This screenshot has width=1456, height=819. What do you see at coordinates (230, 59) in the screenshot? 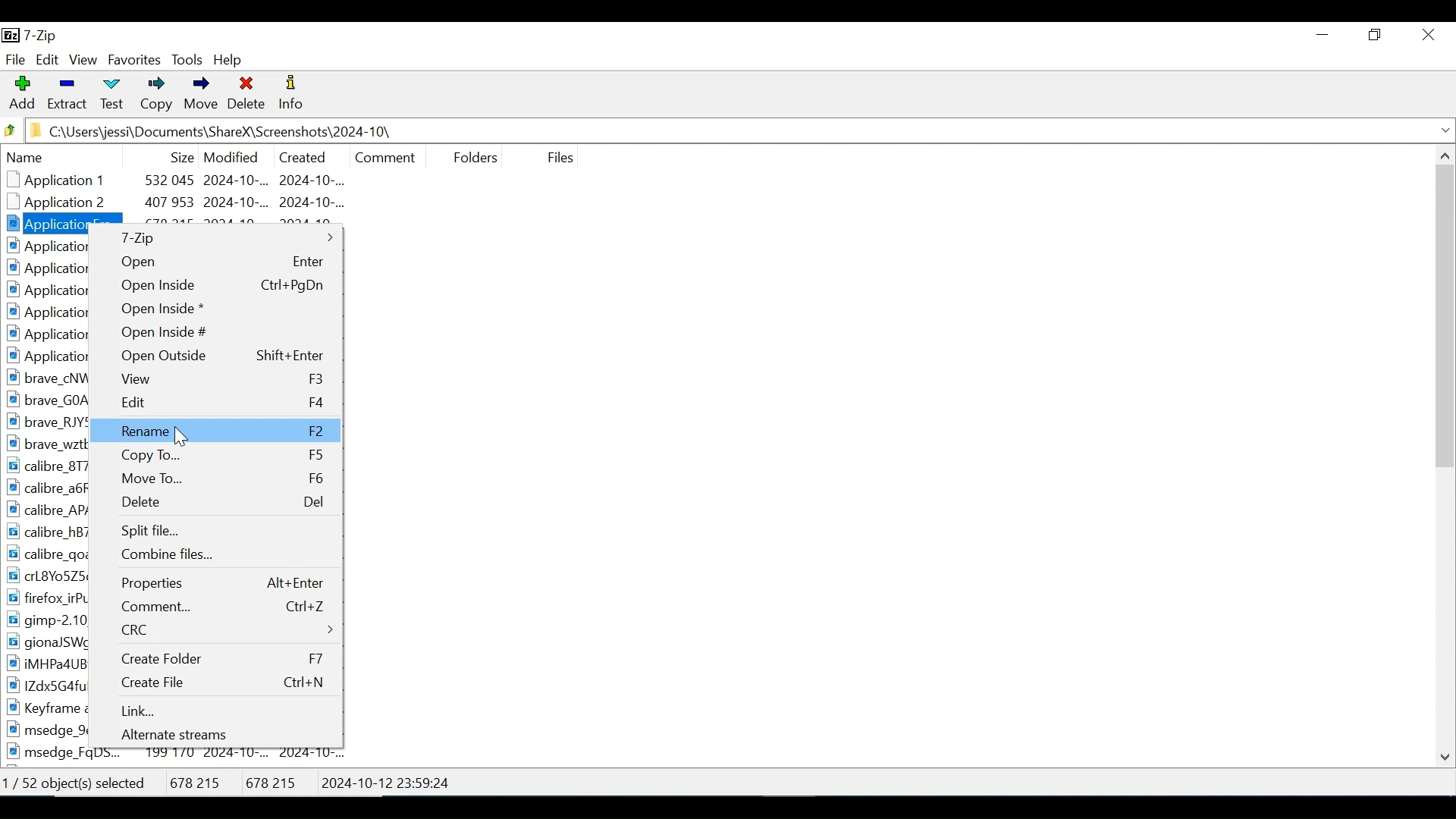
I see `Help` at bounding box center [230, 59].